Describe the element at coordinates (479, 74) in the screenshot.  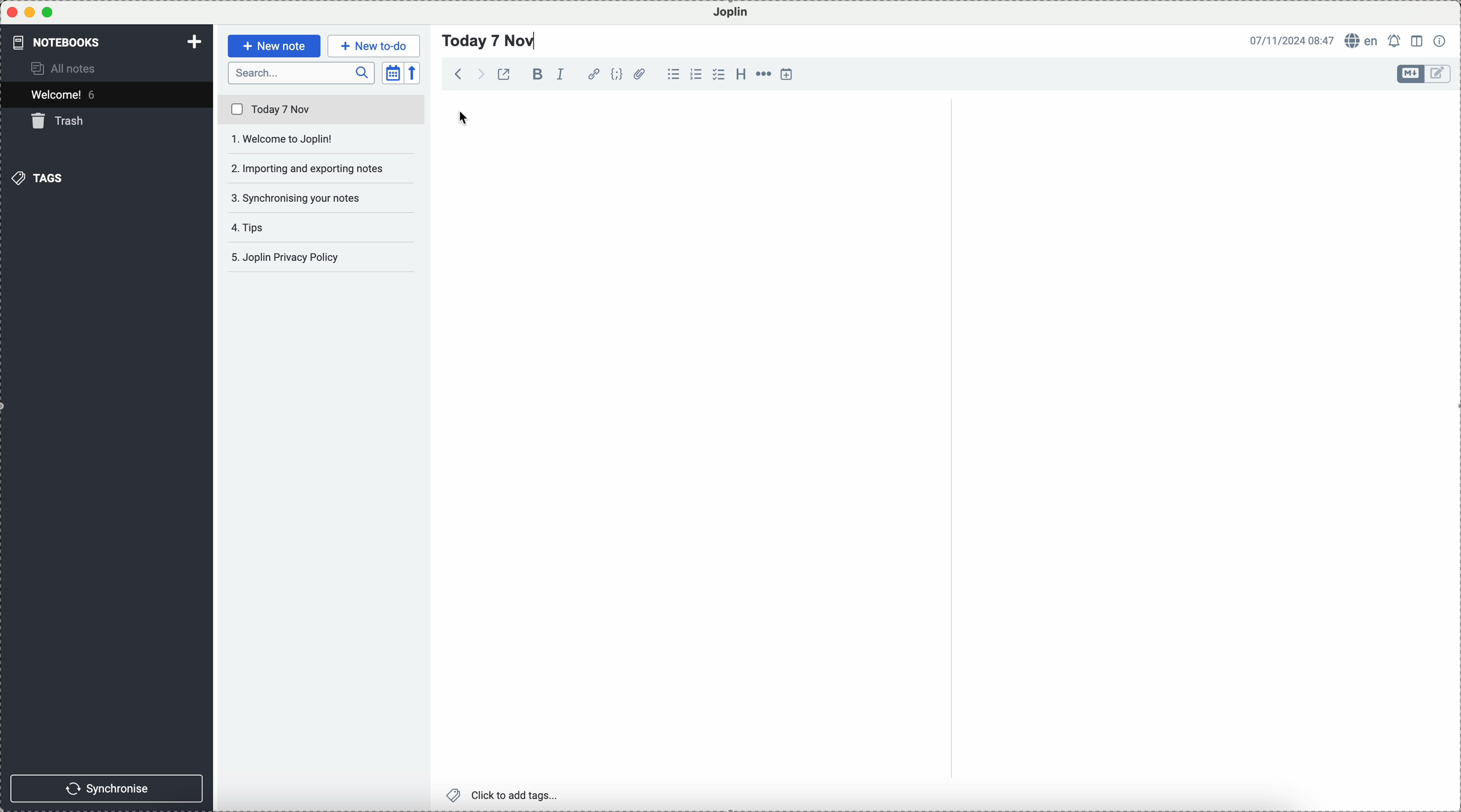
I see `forward` at that location.